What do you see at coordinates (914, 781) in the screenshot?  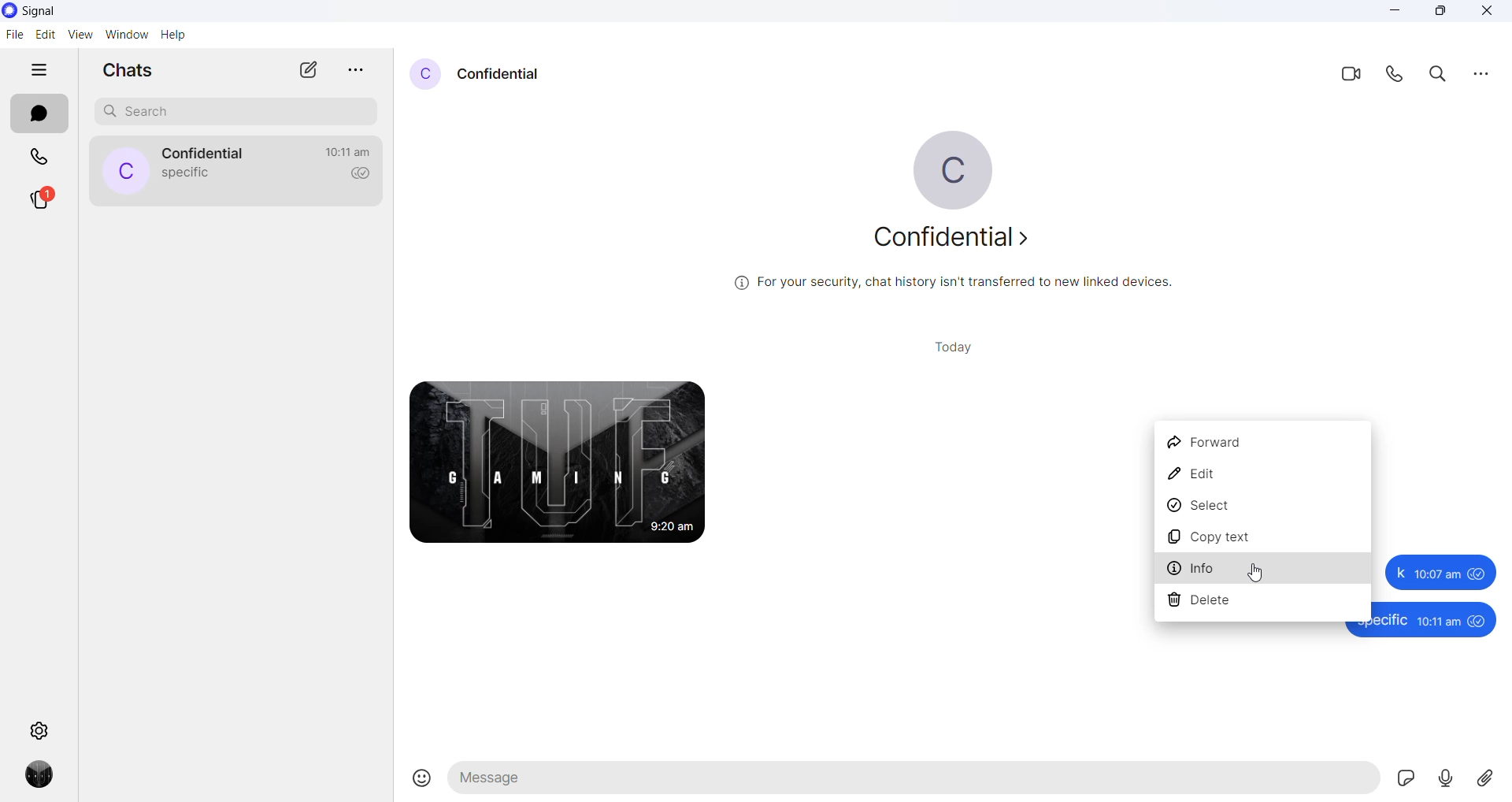 I see `message text area` at bounding box center [914, 781].